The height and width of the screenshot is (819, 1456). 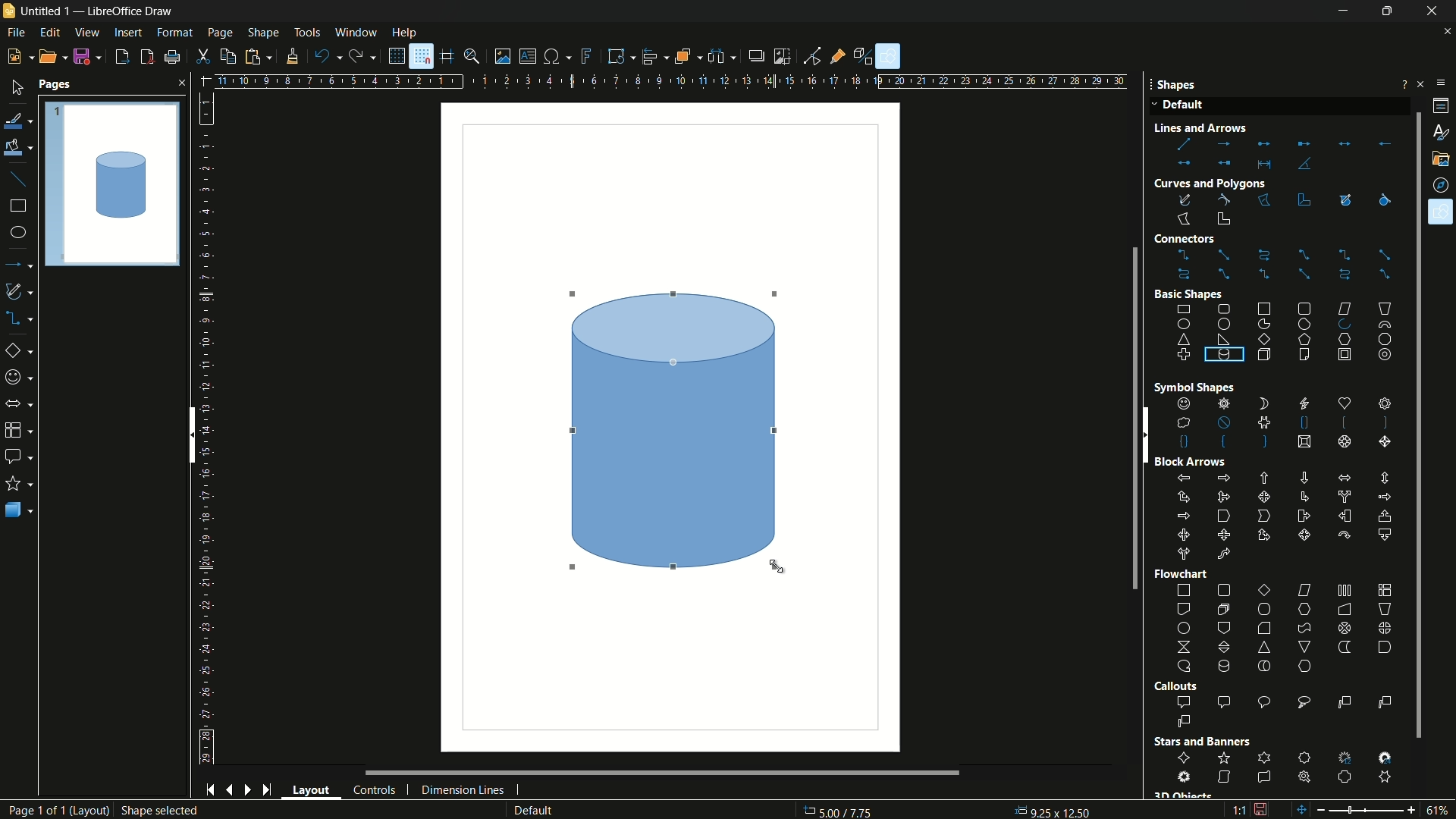 What do you see at coordinates (209, 789) in the screenshot?
I see `start page` at bounding box center [209, 789].